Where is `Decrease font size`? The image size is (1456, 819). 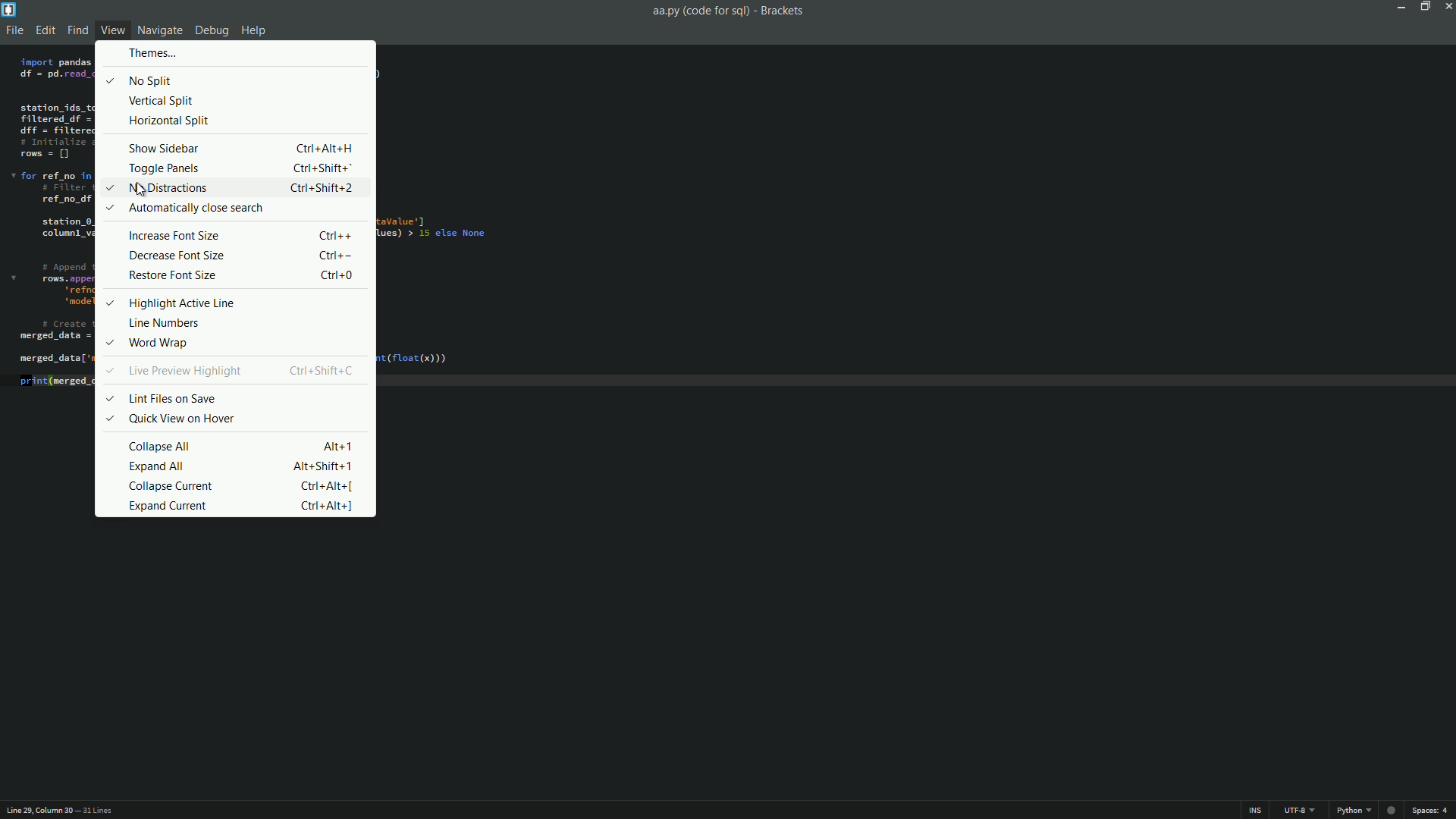 Decrease font size is located at coordinates (246, 256).